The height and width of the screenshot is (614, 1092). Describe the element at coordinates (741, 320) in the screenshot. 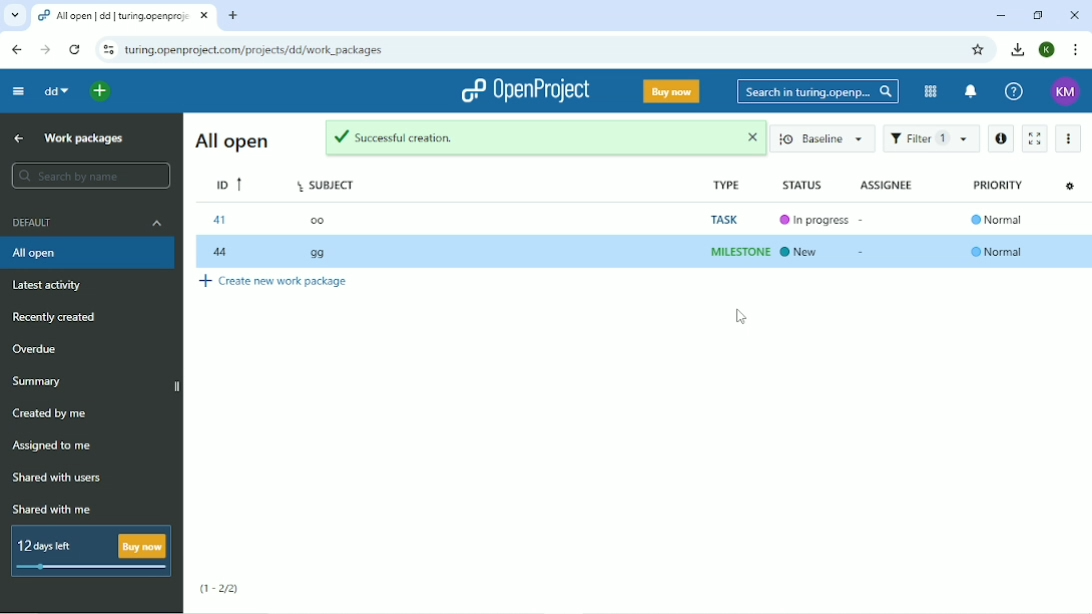

I see `Cursor` at that location.